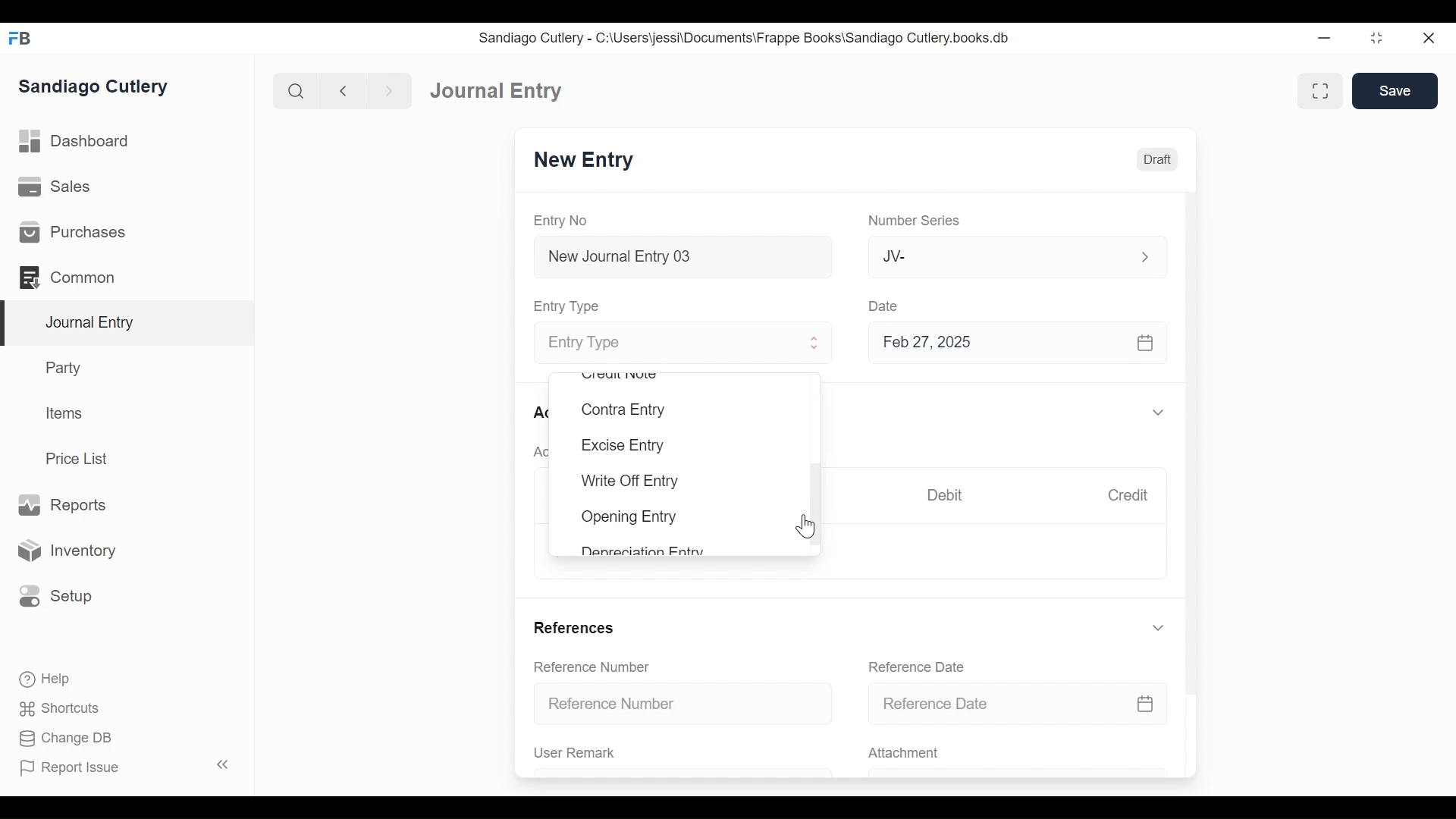 The image size is (1456, 819). What do you see at coordinates (66, 367) in the screenshot?
I see `Party` at bounding box center [66, 367].